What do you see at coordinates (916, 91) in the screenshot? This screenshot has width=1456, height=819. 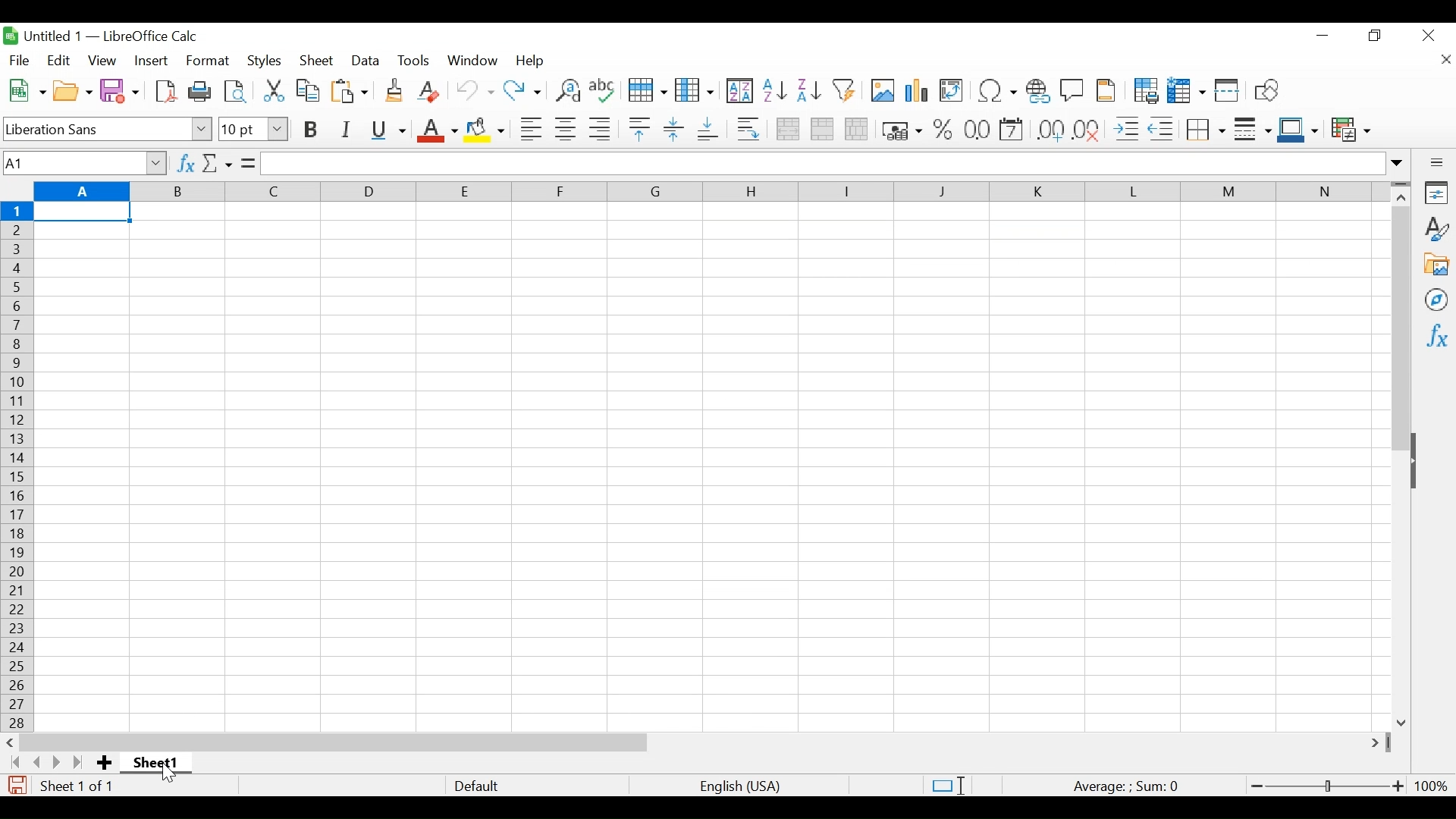 I see `Insert Chart` at bounding box center [916, 91].